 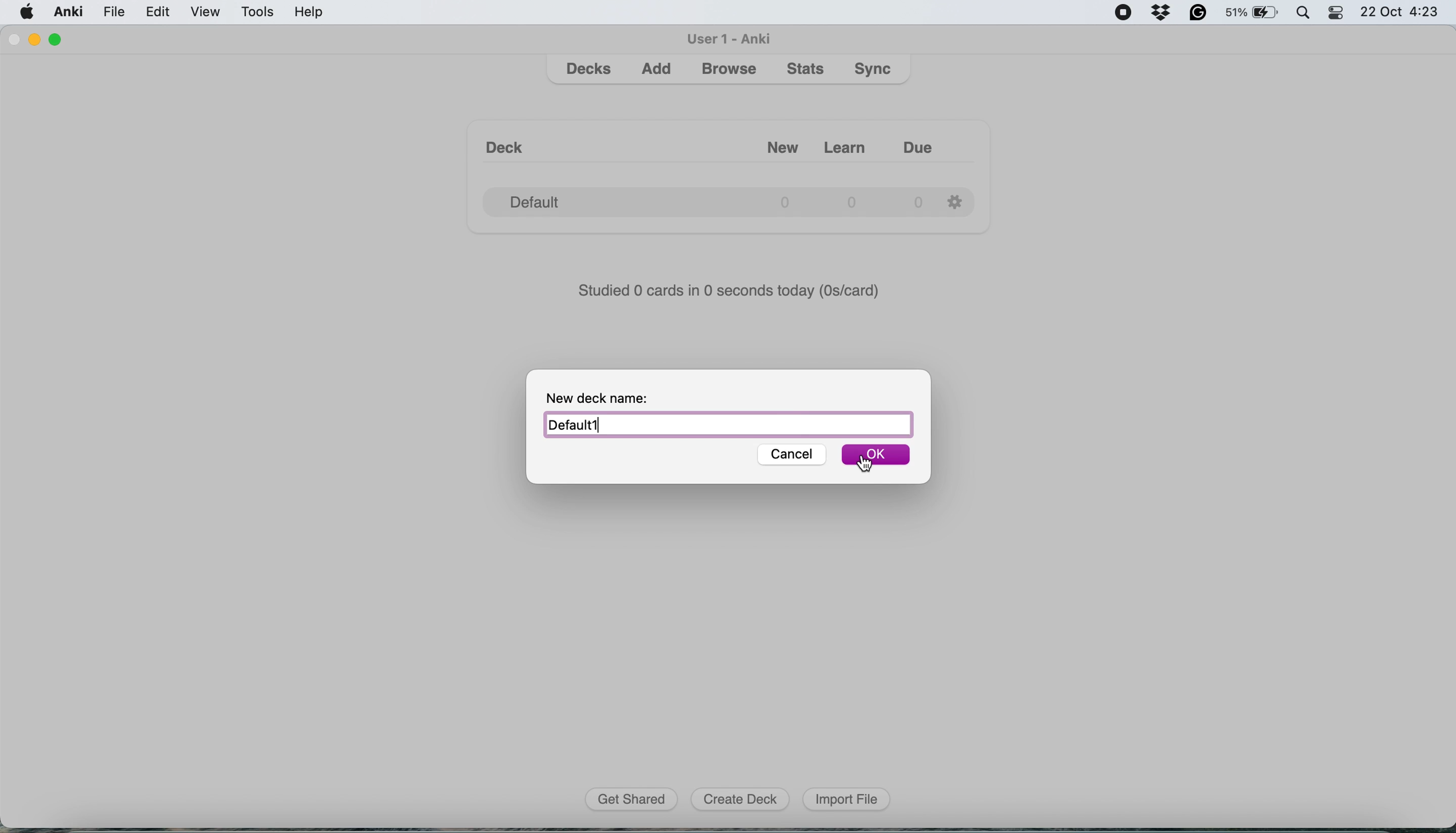 What do you see at coordinates (739, 800) in the screenshot?
I see `create deck` at bounding box center [739, 800].